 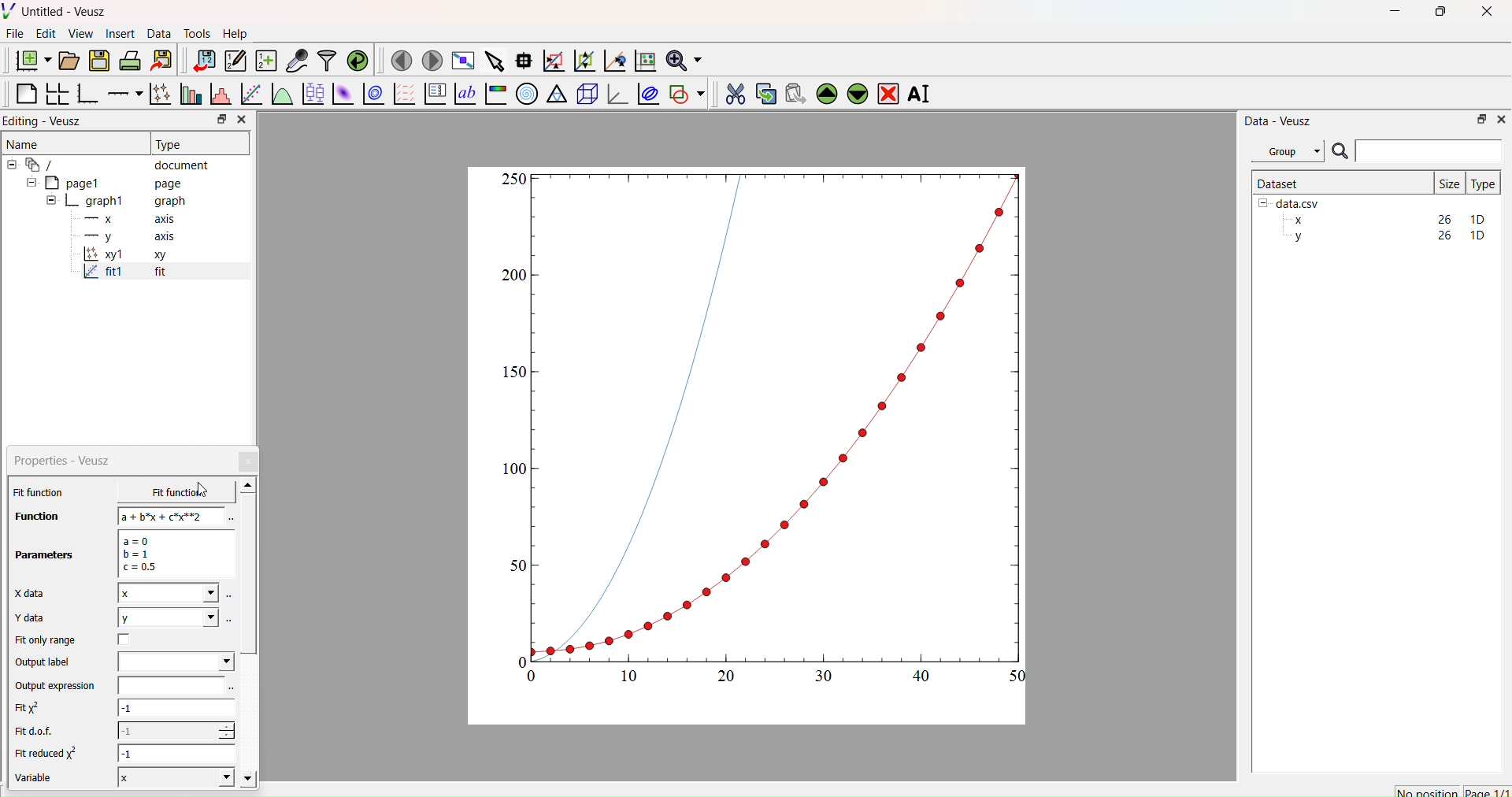 I want to click on -1, so click(x=176, y=730).